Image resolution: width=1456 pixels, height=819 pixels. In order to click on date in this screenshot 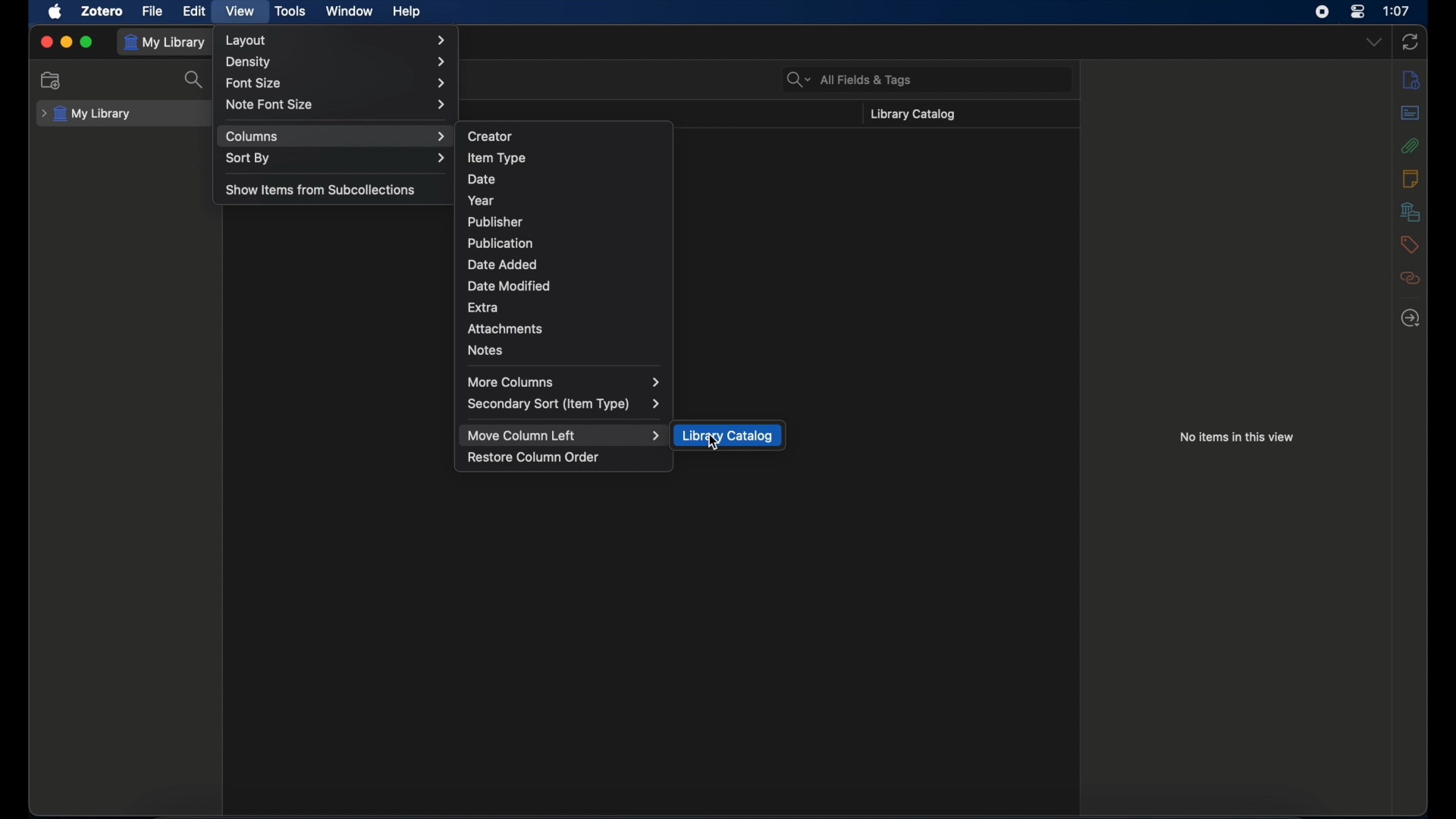, I will do `click(481, 179)`.